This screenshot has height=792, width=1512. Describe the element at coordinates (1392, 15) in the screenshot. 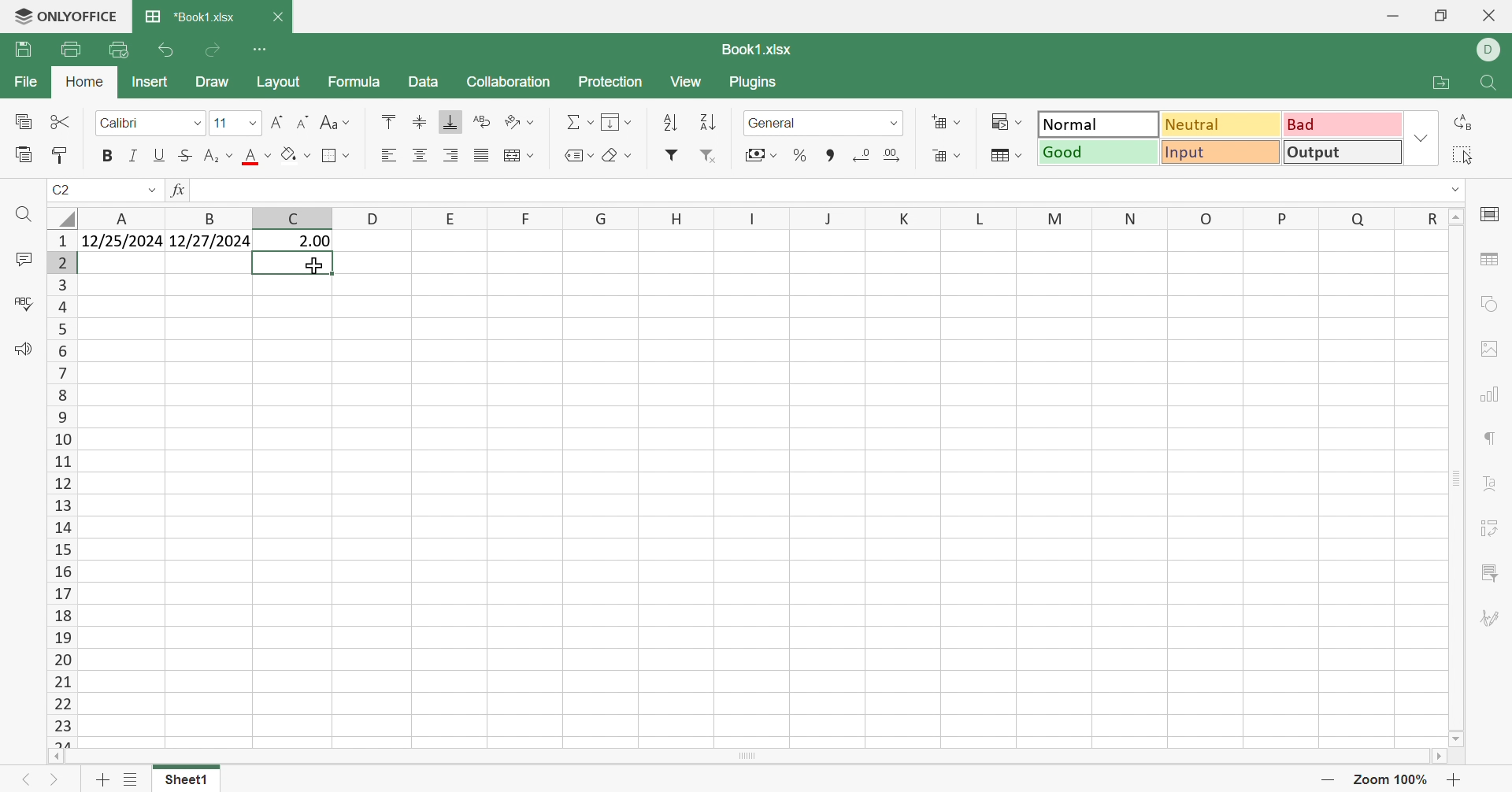

I see `Minimize` at that location.